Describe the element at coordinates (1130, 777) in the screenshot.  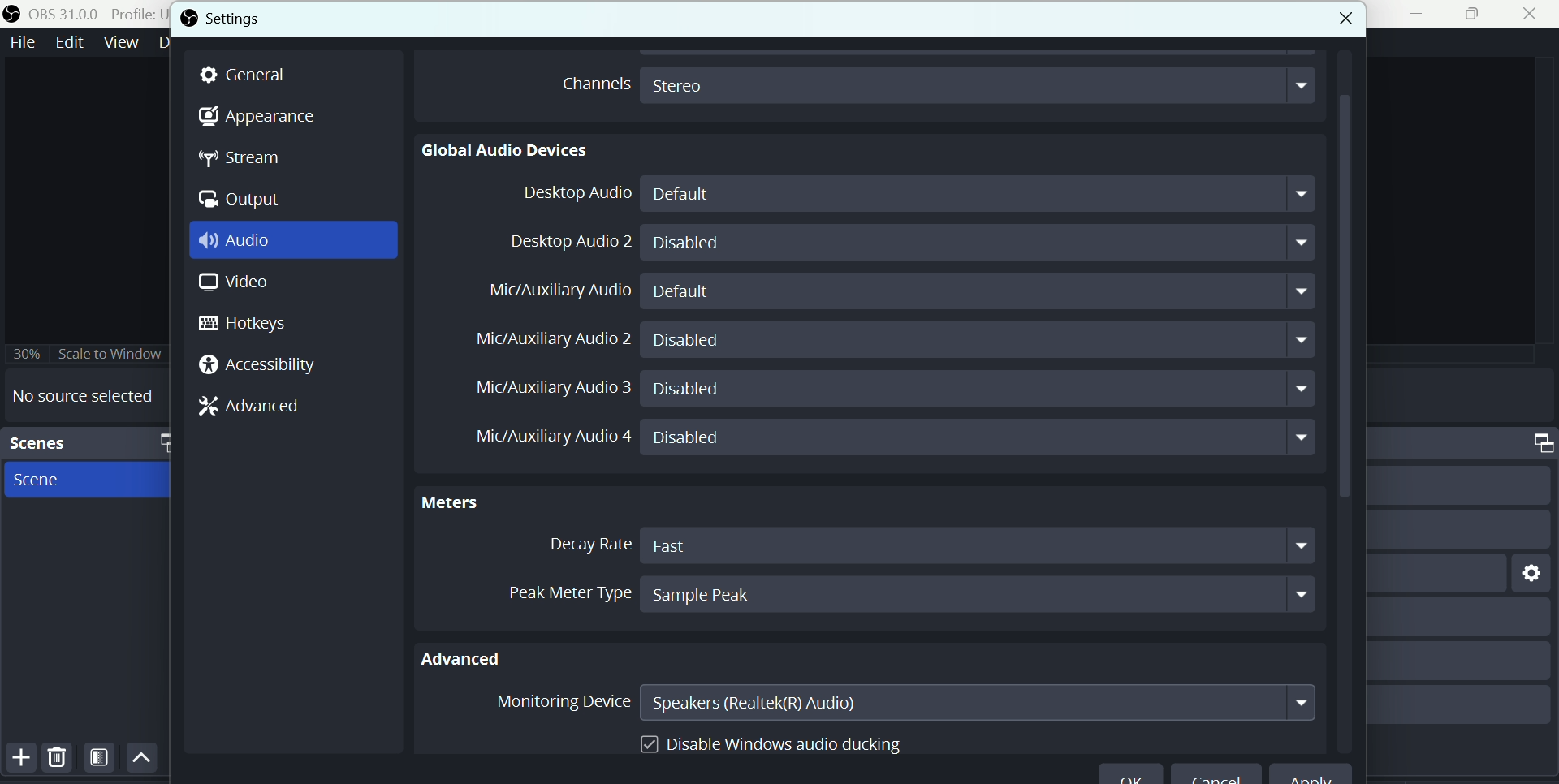
I see `ok` at that location.